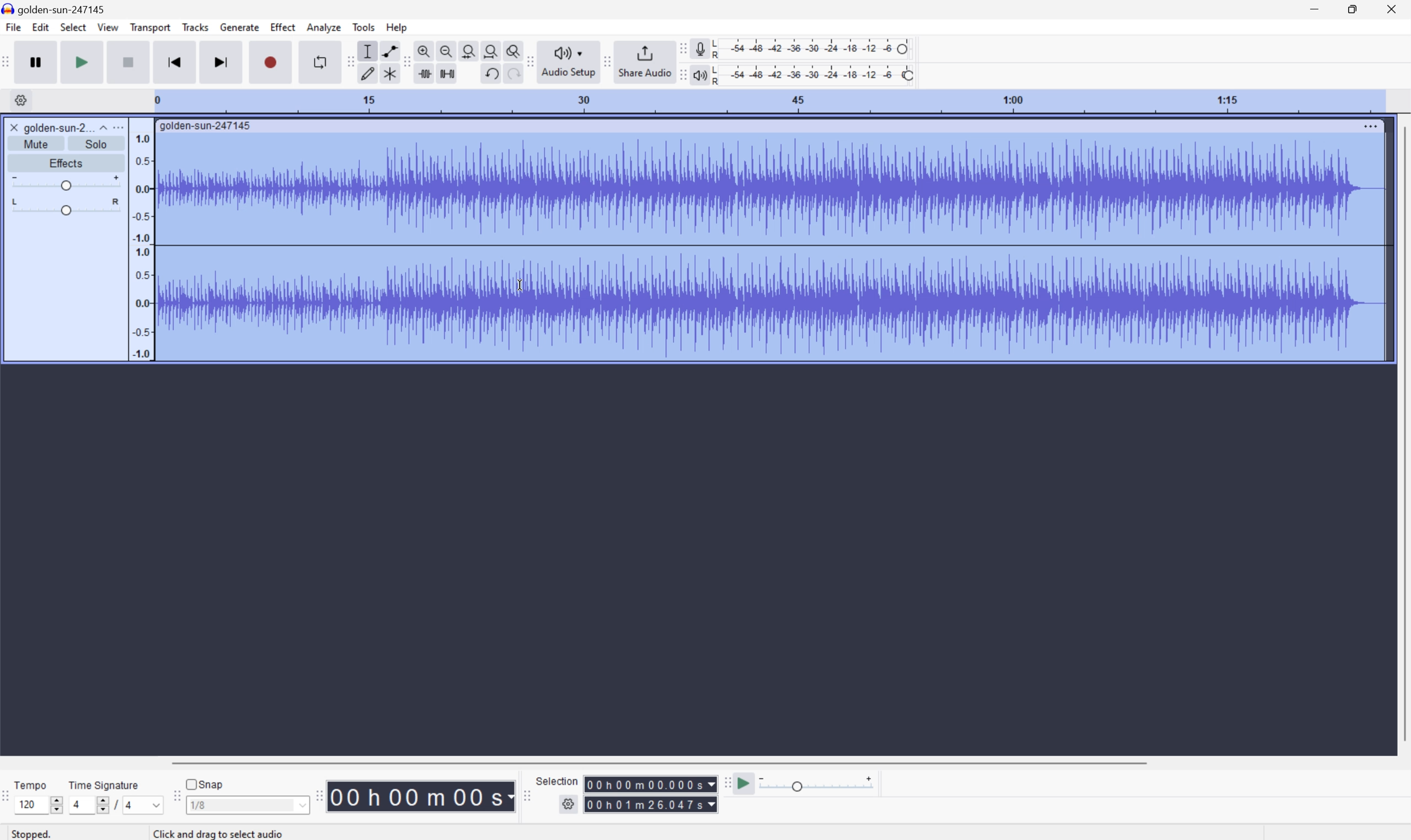  Describe the element at coordinates (700, 76) in the screenshot. I see `Playback meter` at that location.